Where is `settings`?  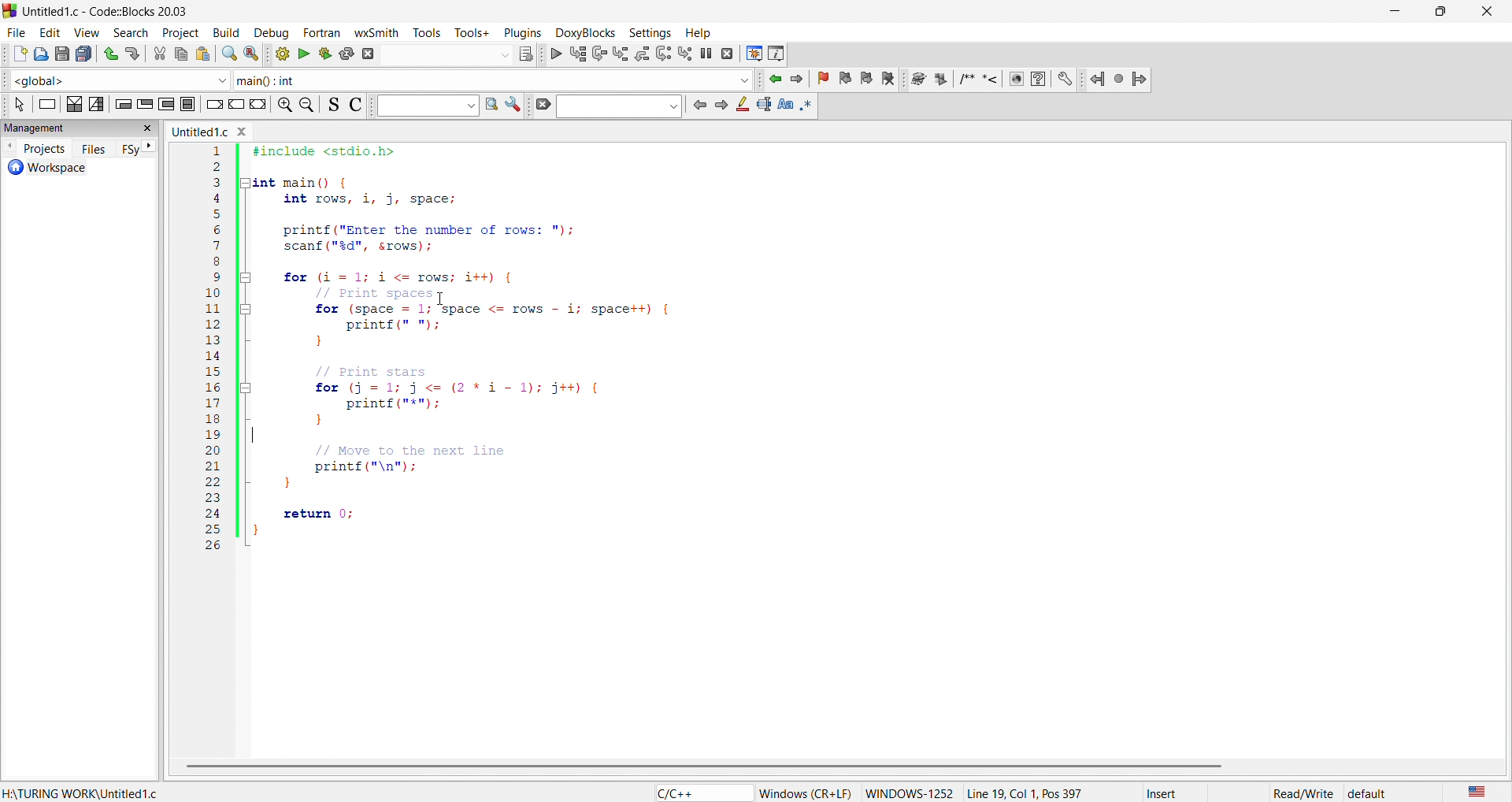 settings is located at coordinates (513, 106).